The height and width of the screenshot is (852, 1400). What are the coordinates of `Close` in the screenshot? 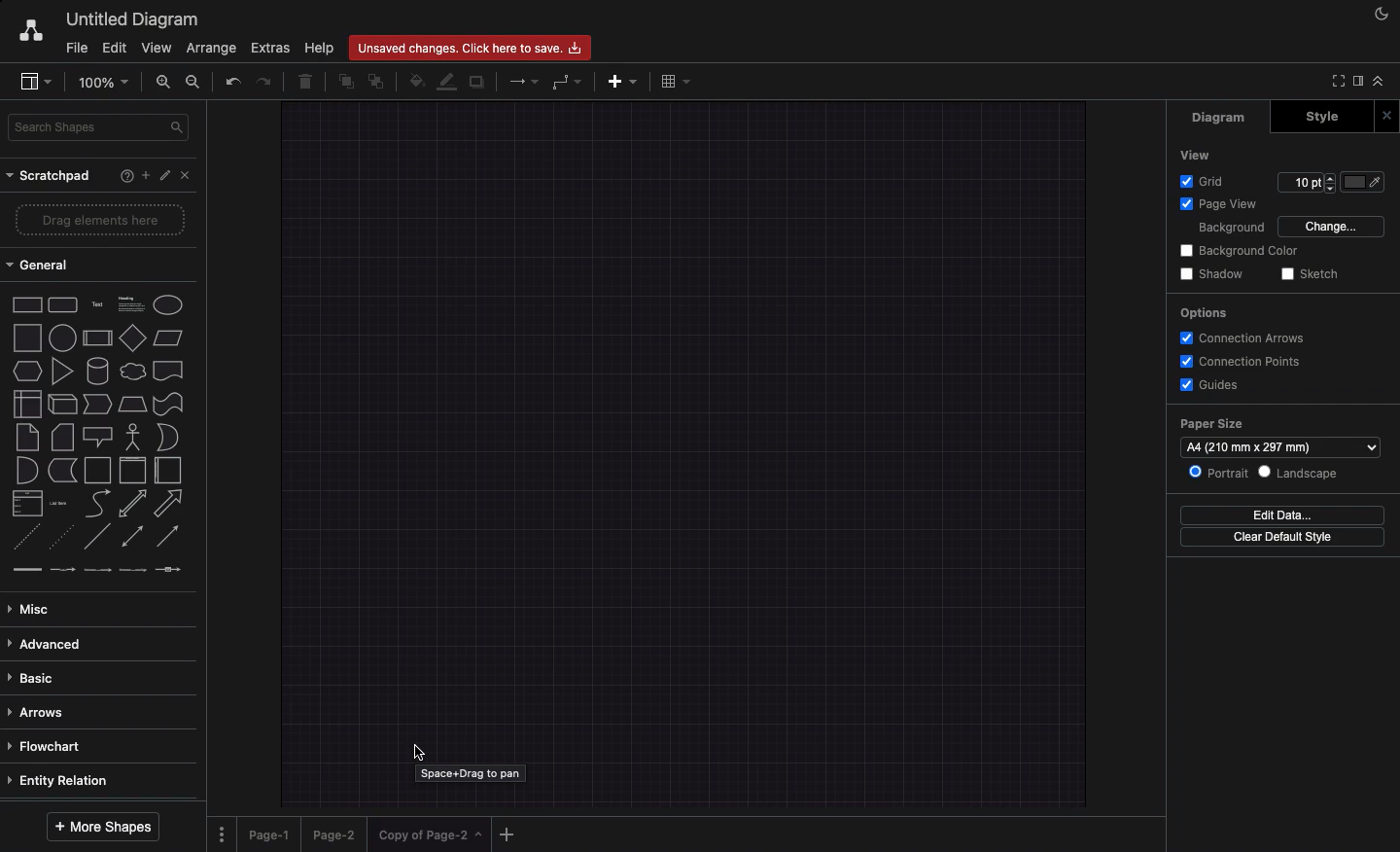 It's located at (1385, 116).